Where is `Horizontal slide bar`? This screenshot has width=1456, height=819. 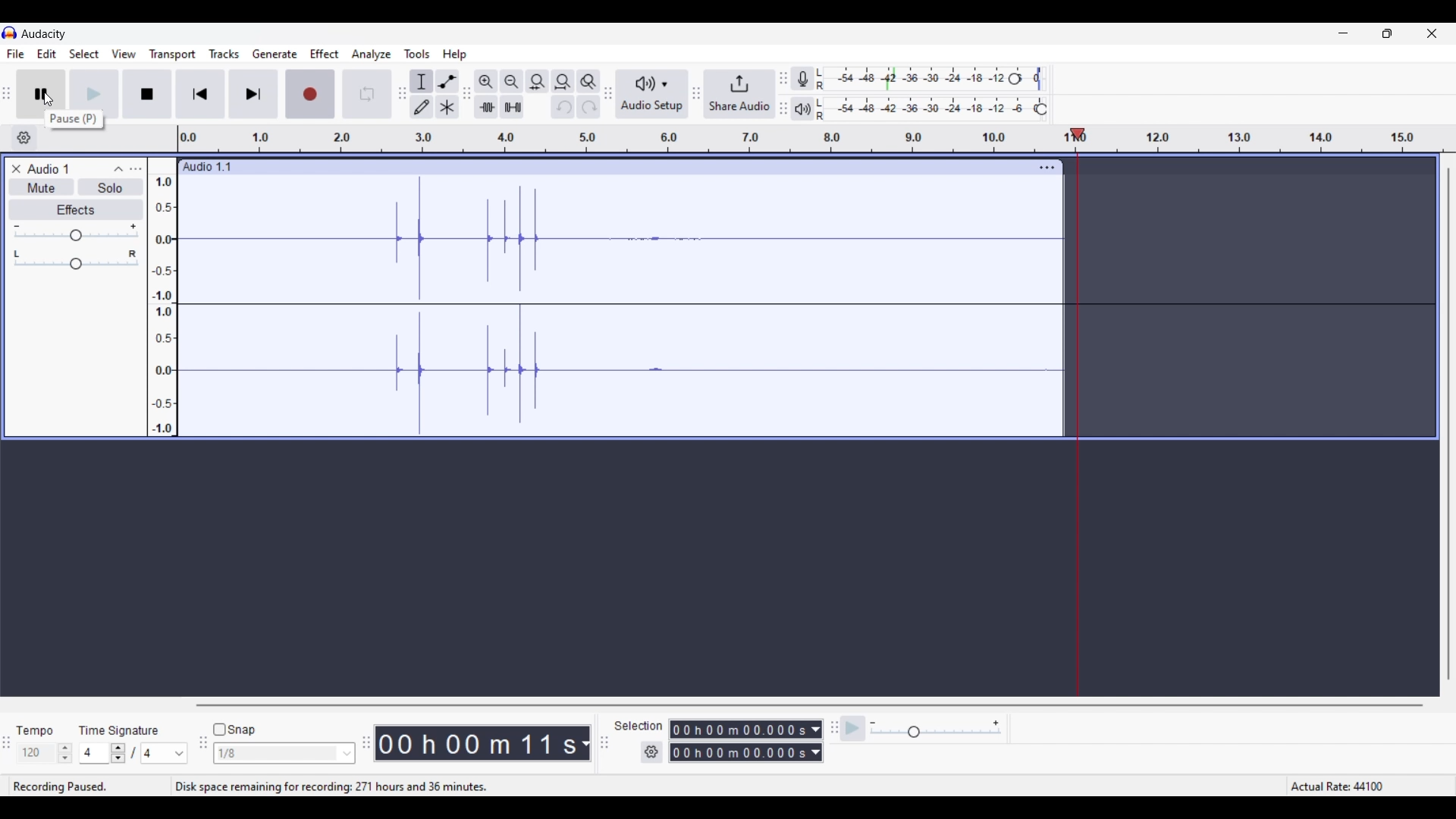 Horizontal slide bar is located at coordinates (808, 706).